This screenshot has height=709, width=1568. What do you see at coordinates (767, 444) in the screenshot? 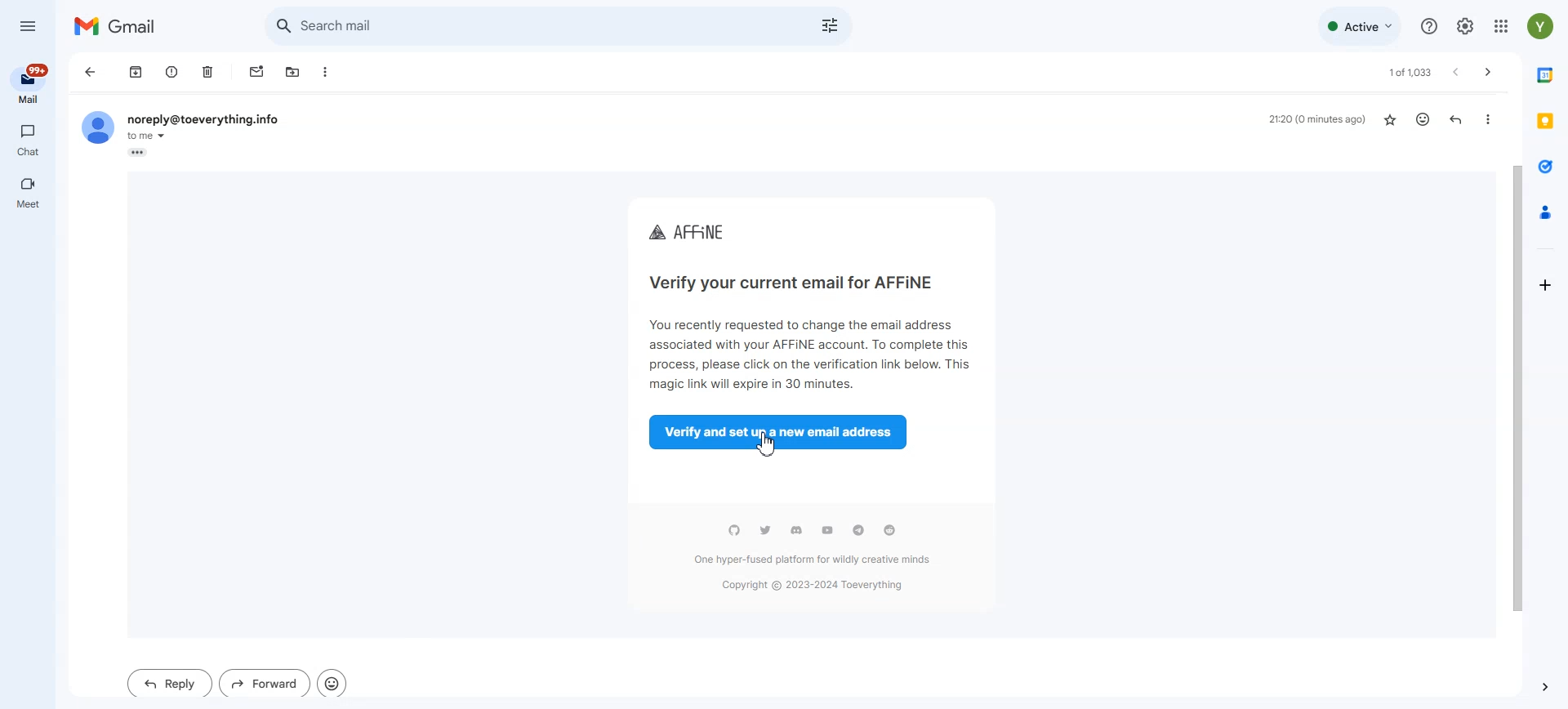
I see `Cursor` at bounding box center [767, 444].